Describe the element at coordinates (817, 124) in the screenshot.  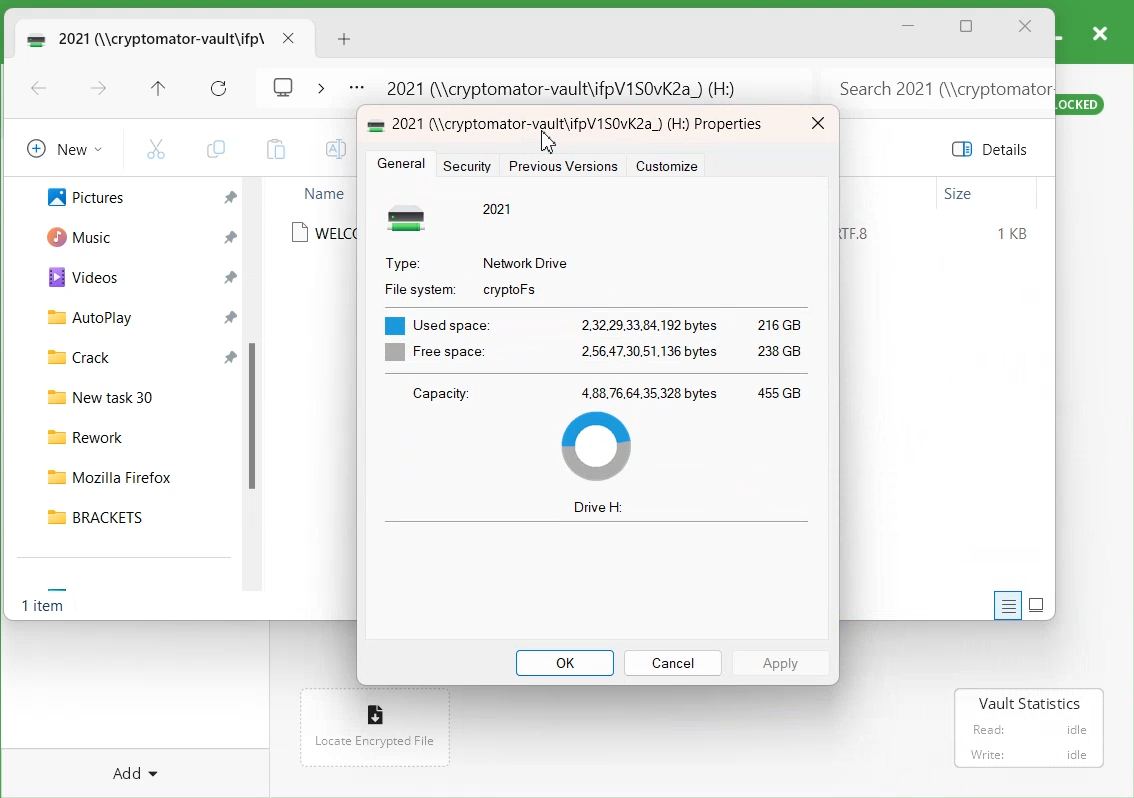
I see `Close` at that location.